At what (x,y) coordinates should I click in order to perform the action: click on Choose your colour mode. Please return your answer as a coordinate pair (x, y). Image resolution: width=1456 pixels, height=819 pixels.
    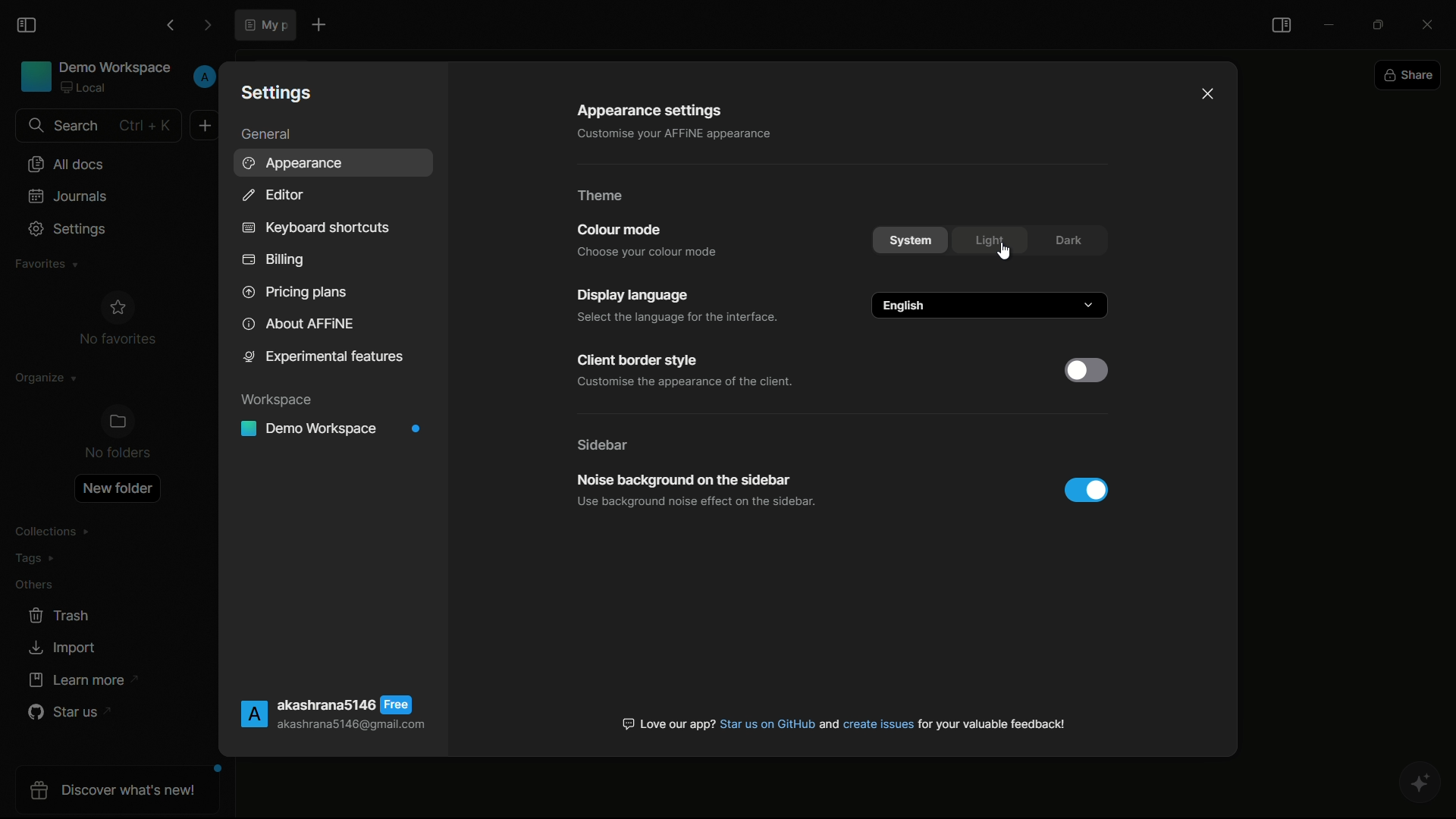
    Looking at the image, I should click on (651, 251).